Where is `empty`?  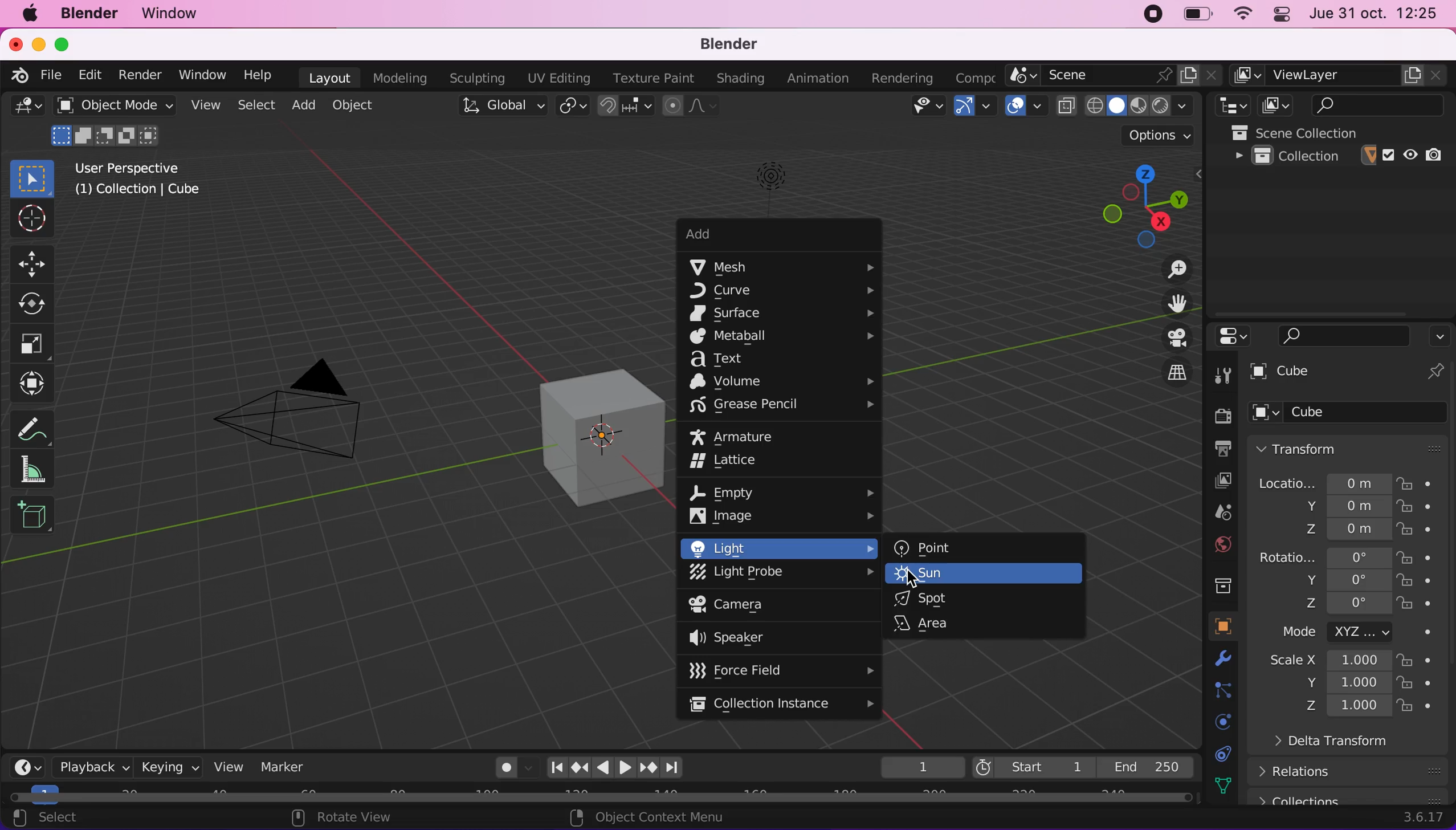 empty is located at coordinates (785, 489).